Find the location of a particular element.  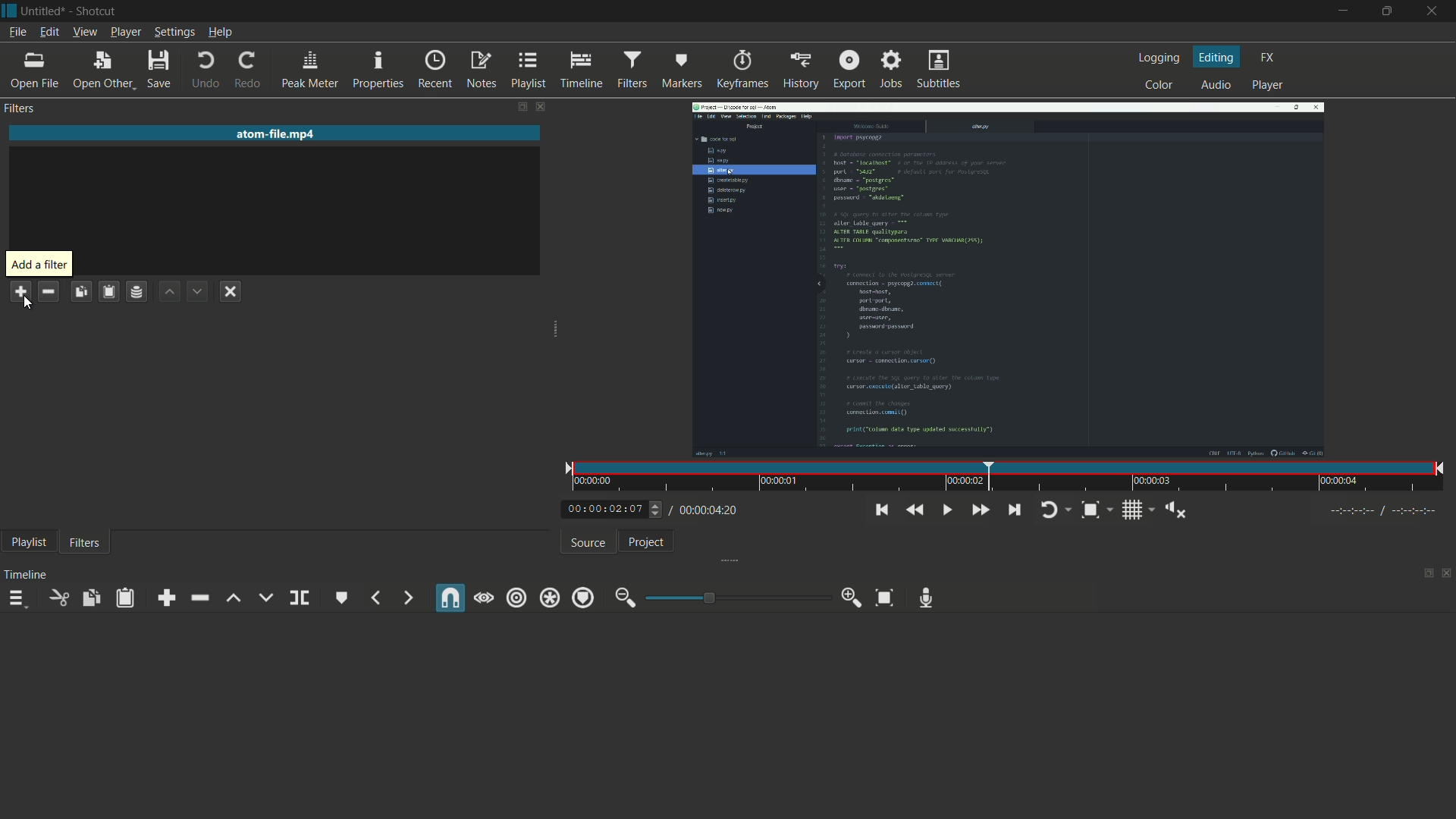

move filter down is located at coordinates (196, 292).